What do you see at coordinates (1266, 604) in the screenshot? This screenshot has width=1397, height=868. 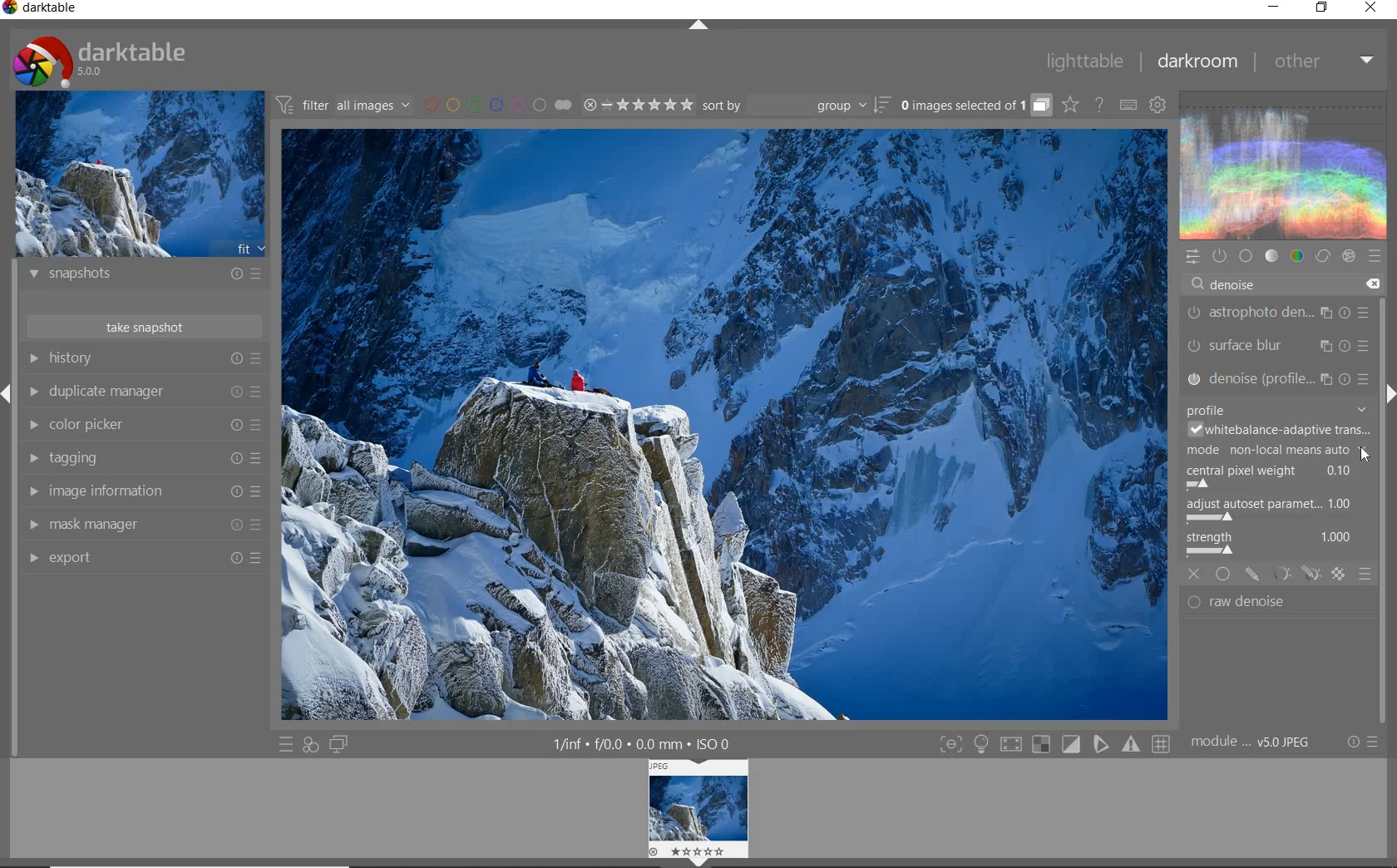 I see `RAW DENOISE` at bounding box center [1266, 604].